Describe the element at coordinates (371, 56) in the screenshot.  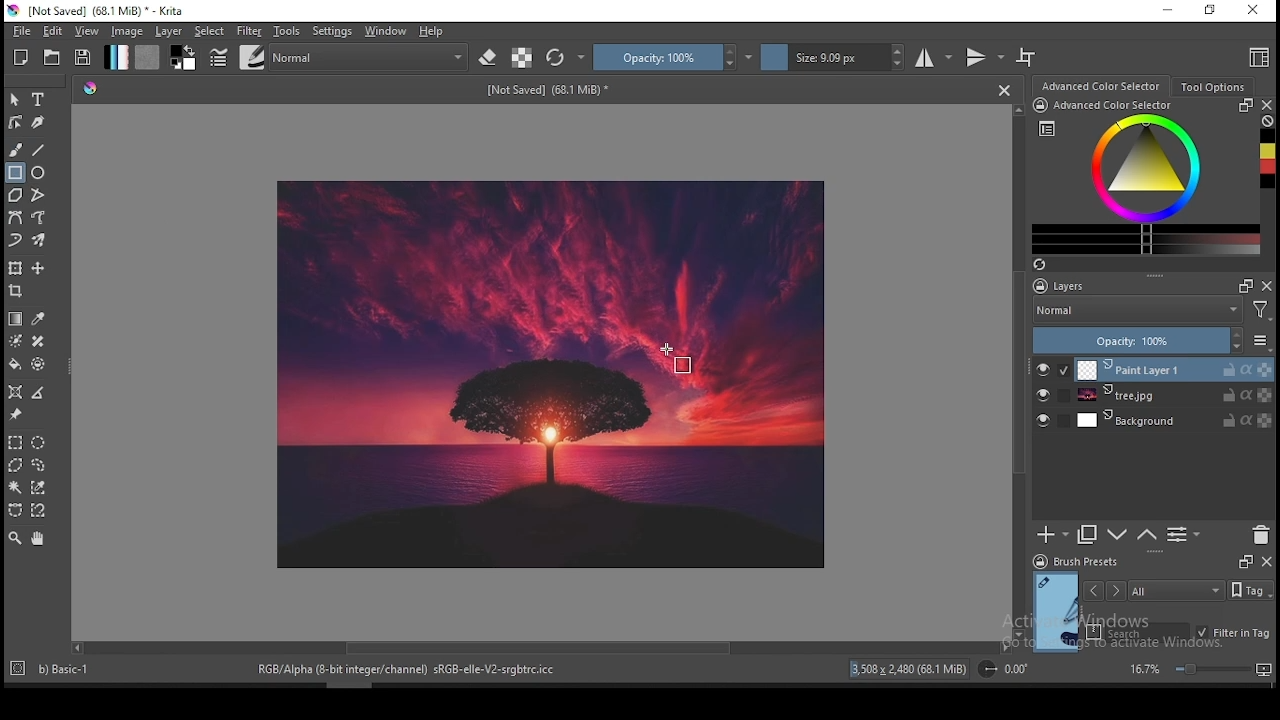
I see `blending mode` at that location.